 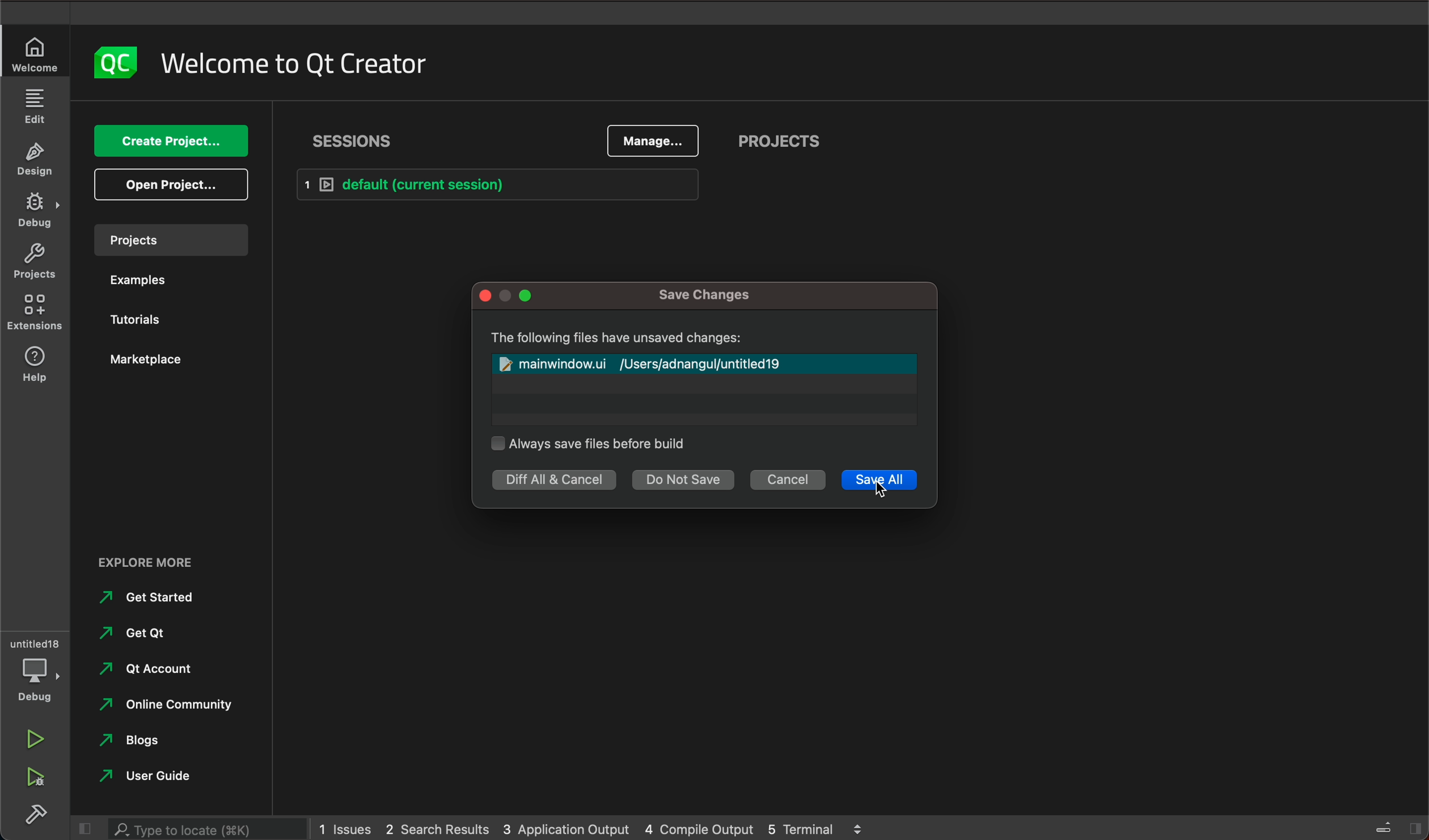 I want to click on run and debug, so click(x=34, y=780).